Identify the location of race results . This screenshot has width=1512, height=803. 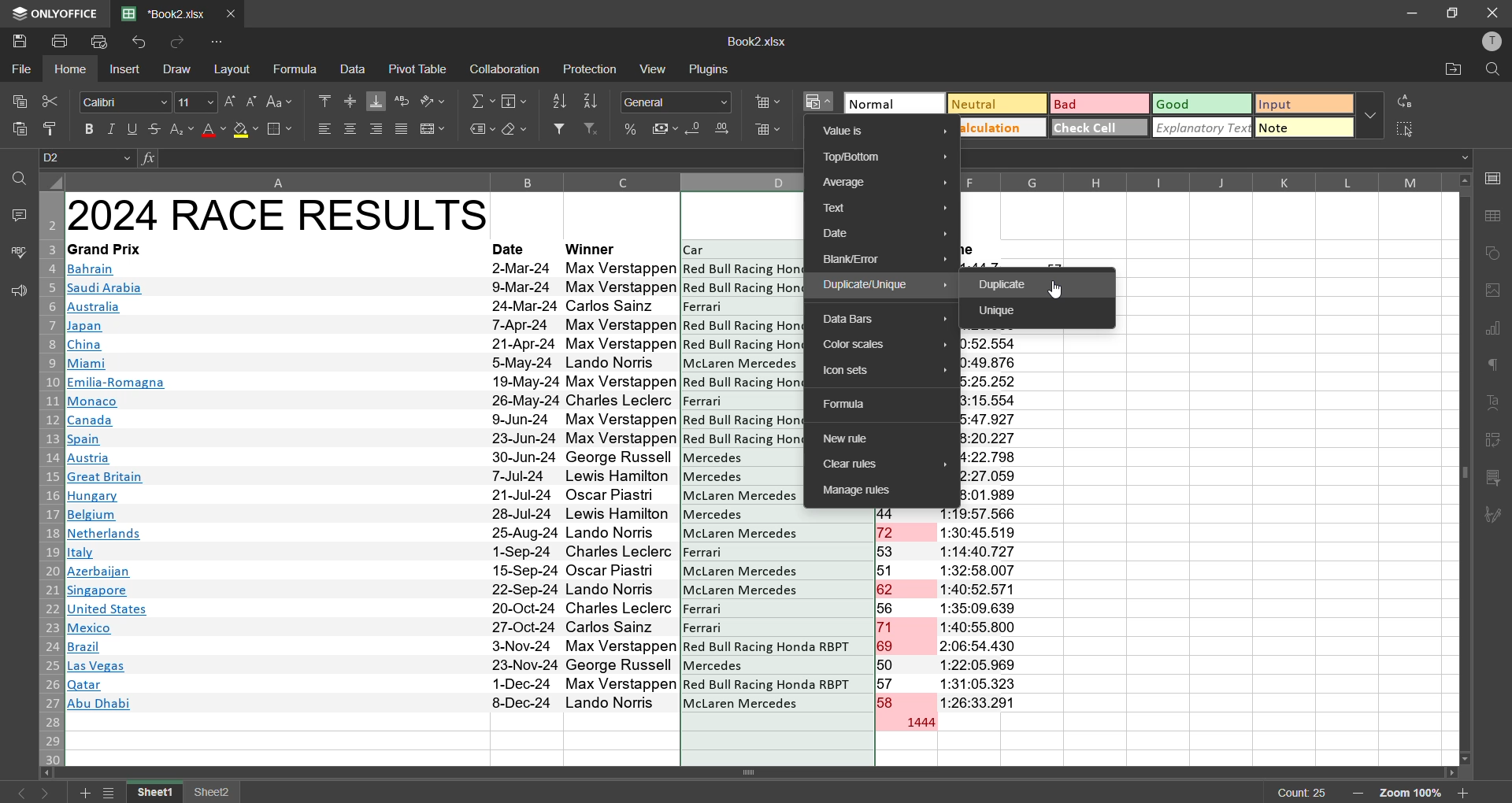
(278, 214).